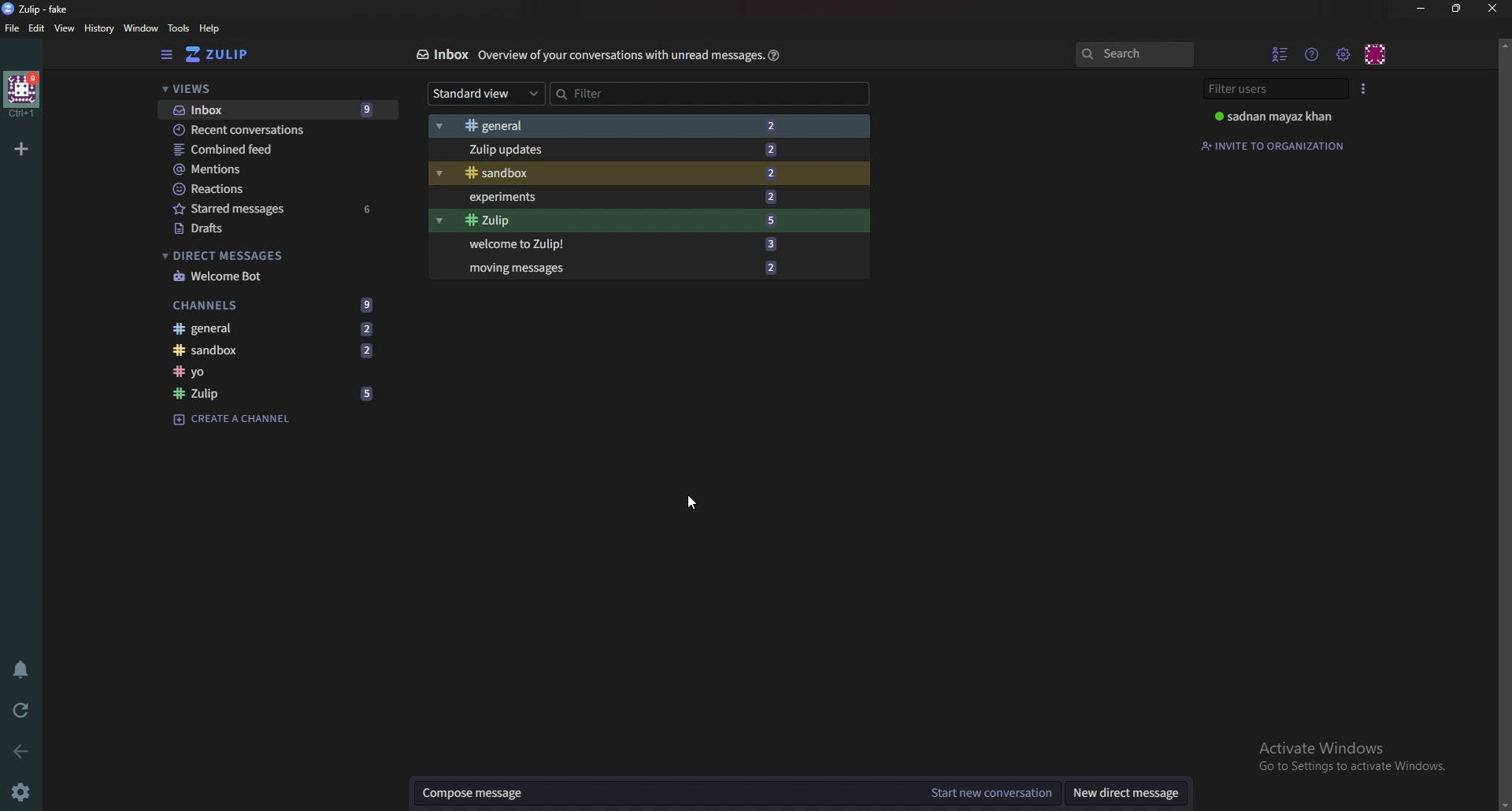 The width and height of the screenshot is (1512, 811). Describe the element at coordinates (235, 420) in the screenshot. I see `Create a channel` at that location.